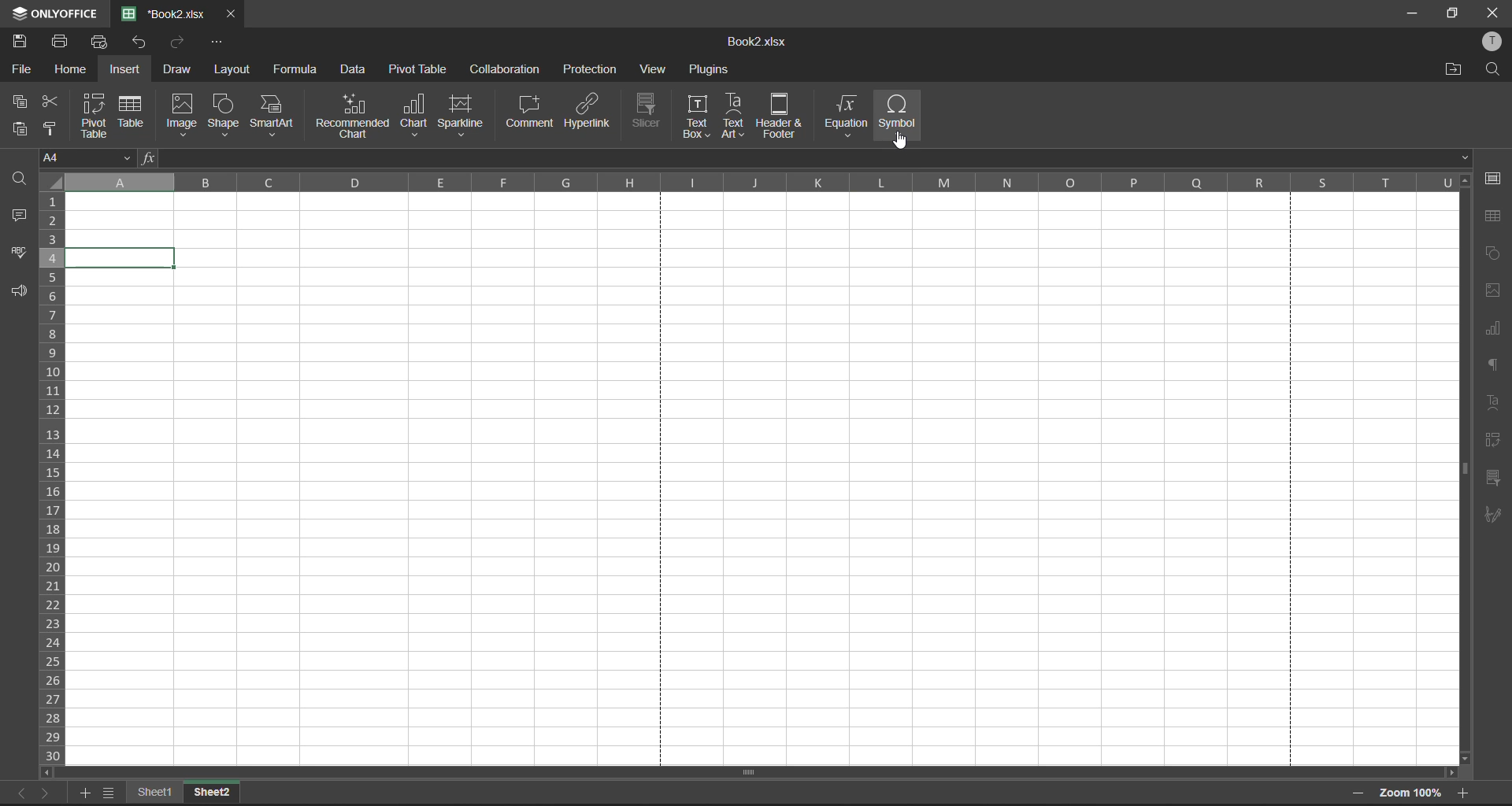 This screenshot has width=1512, height=806. Describe the element at coordinates (806, 157) in the screenshot. I see `formula bar` at that location.